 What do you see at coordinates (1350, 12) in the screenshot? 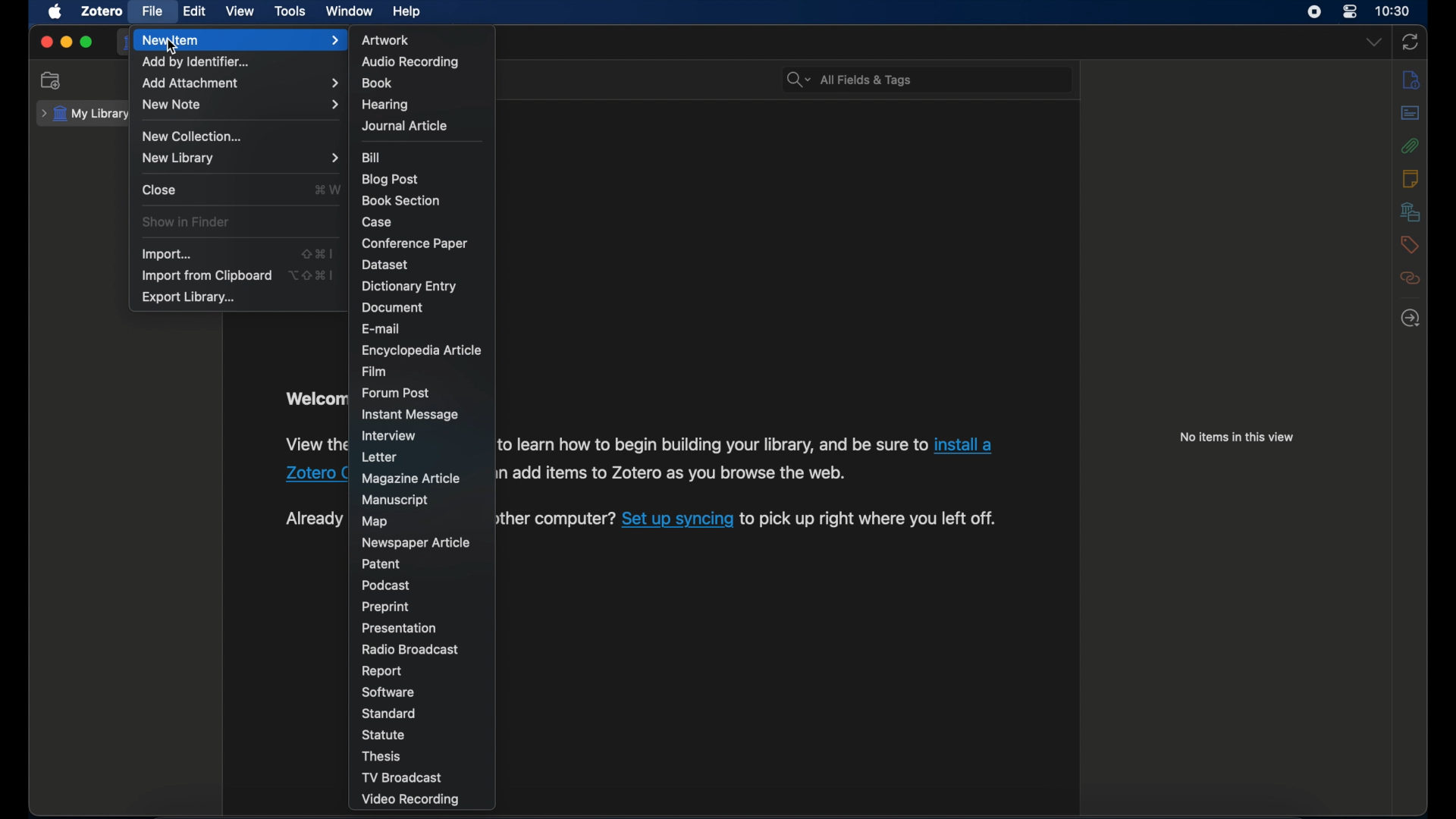
I see `control center` at bounding box center [1350, 12].